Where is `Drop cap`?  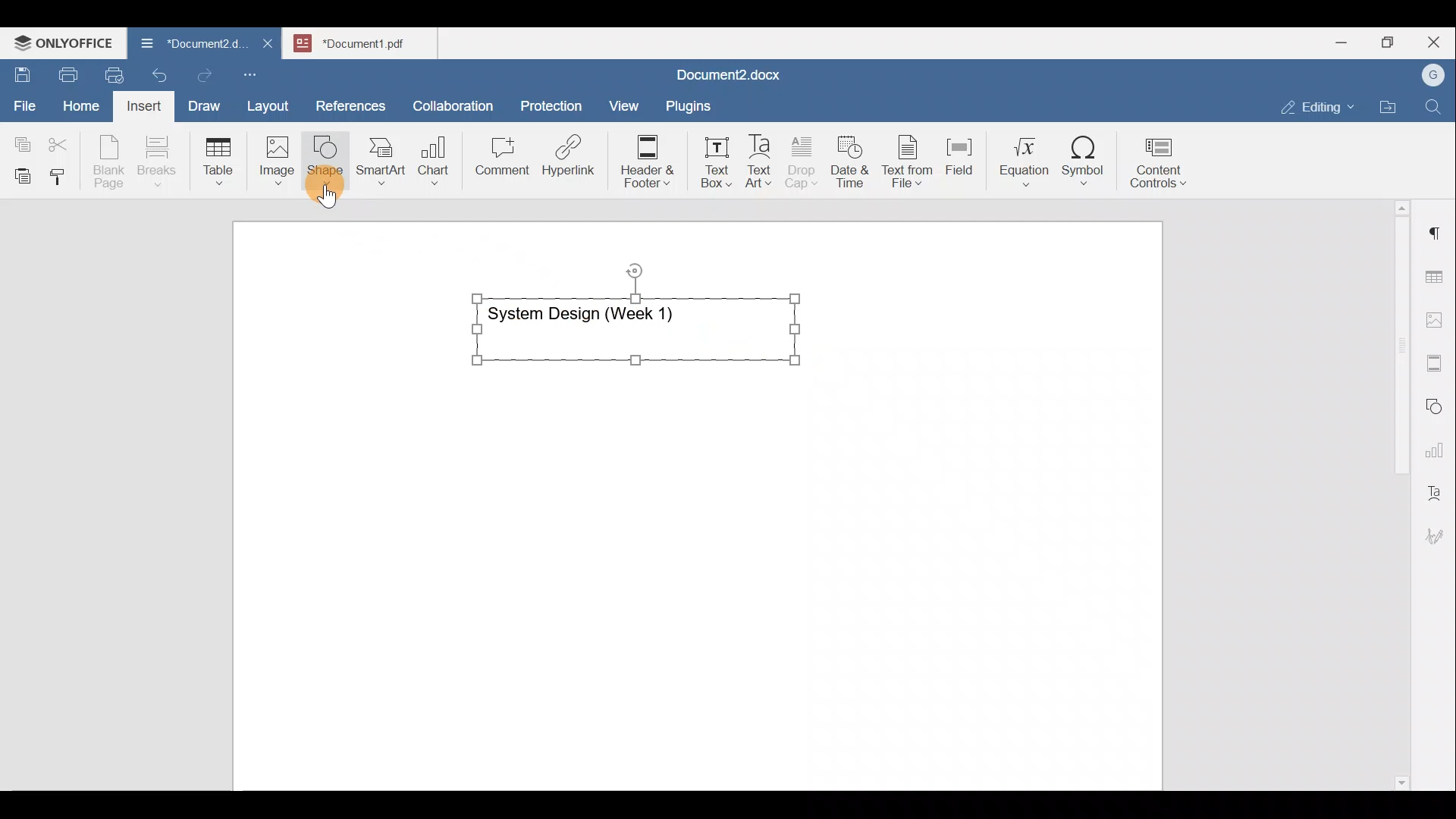
Drop cap is located at coordinates (805, 160).